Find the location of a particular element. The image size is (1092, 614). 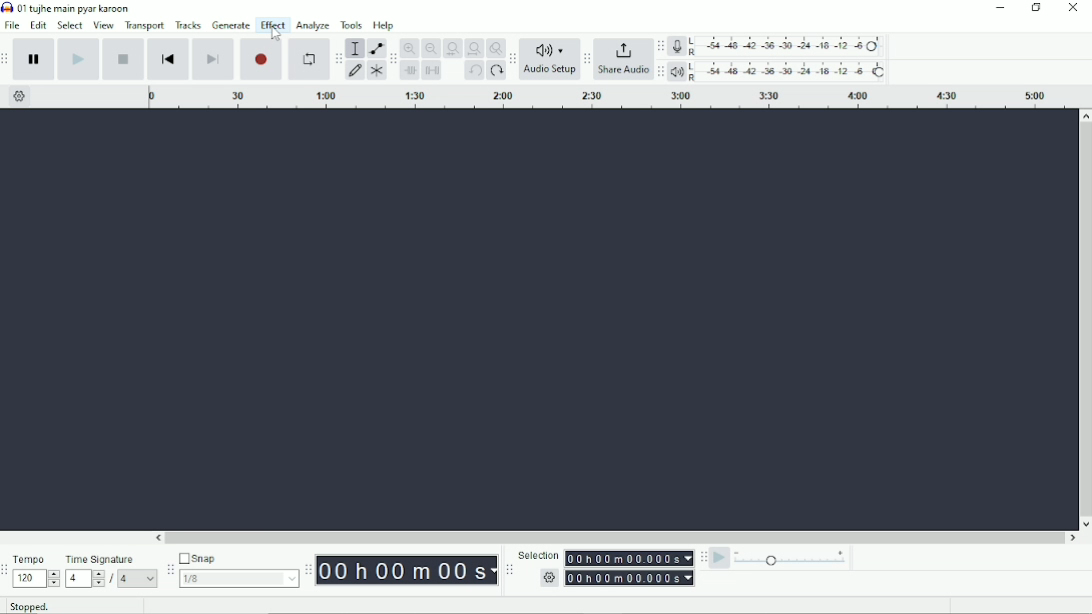

View is located at coordinates (104, 26).